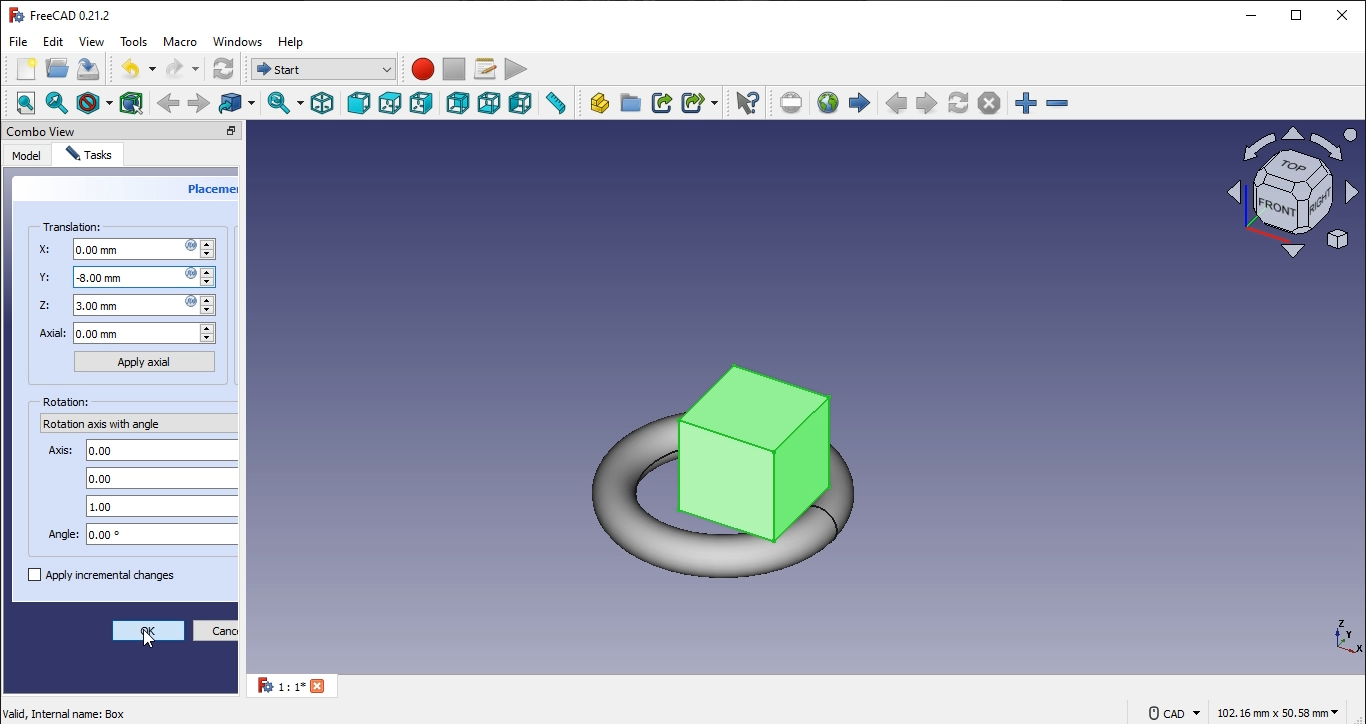 This screenshot has height=724, width=1366. I want to click on restore, so click(209, 131).